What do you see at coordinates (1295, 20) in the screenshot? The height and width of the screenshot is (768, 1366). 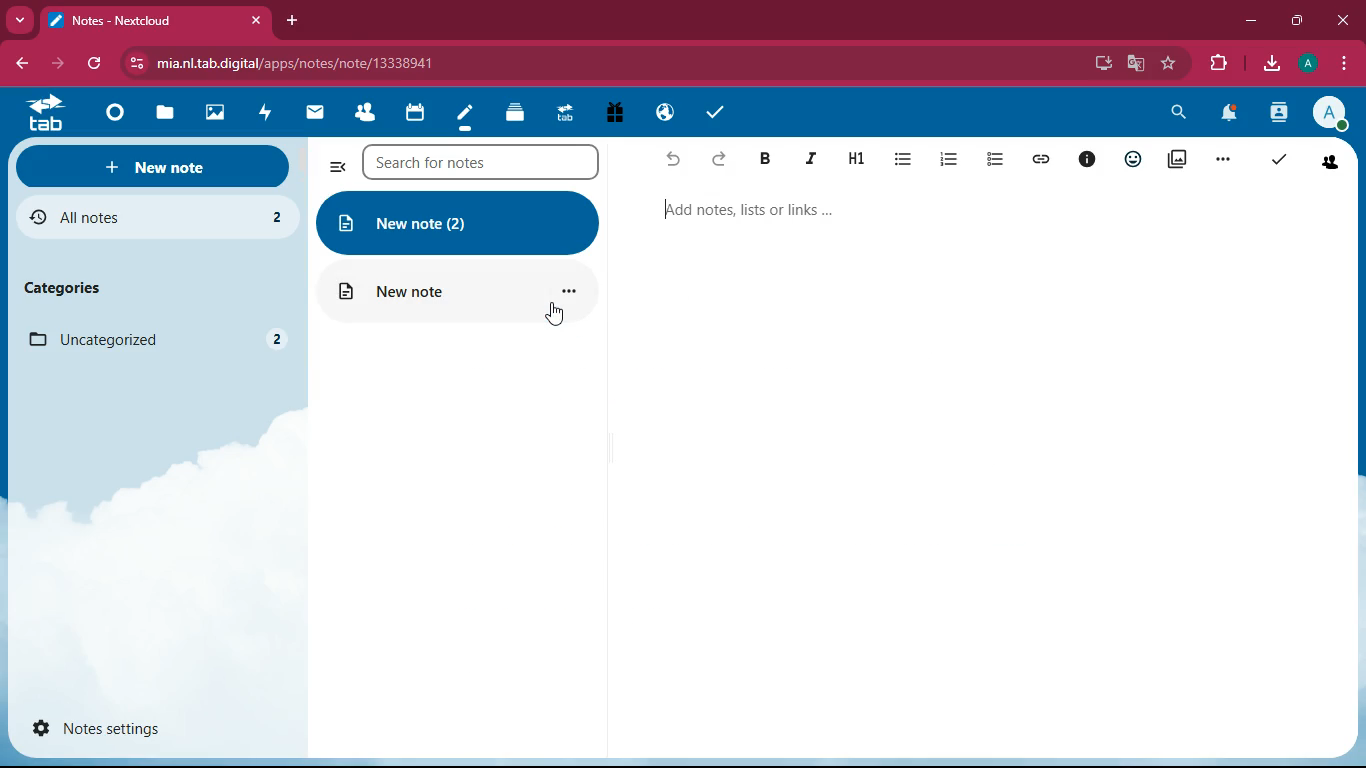 I see `maximize` at bounding box center [1295, 20].